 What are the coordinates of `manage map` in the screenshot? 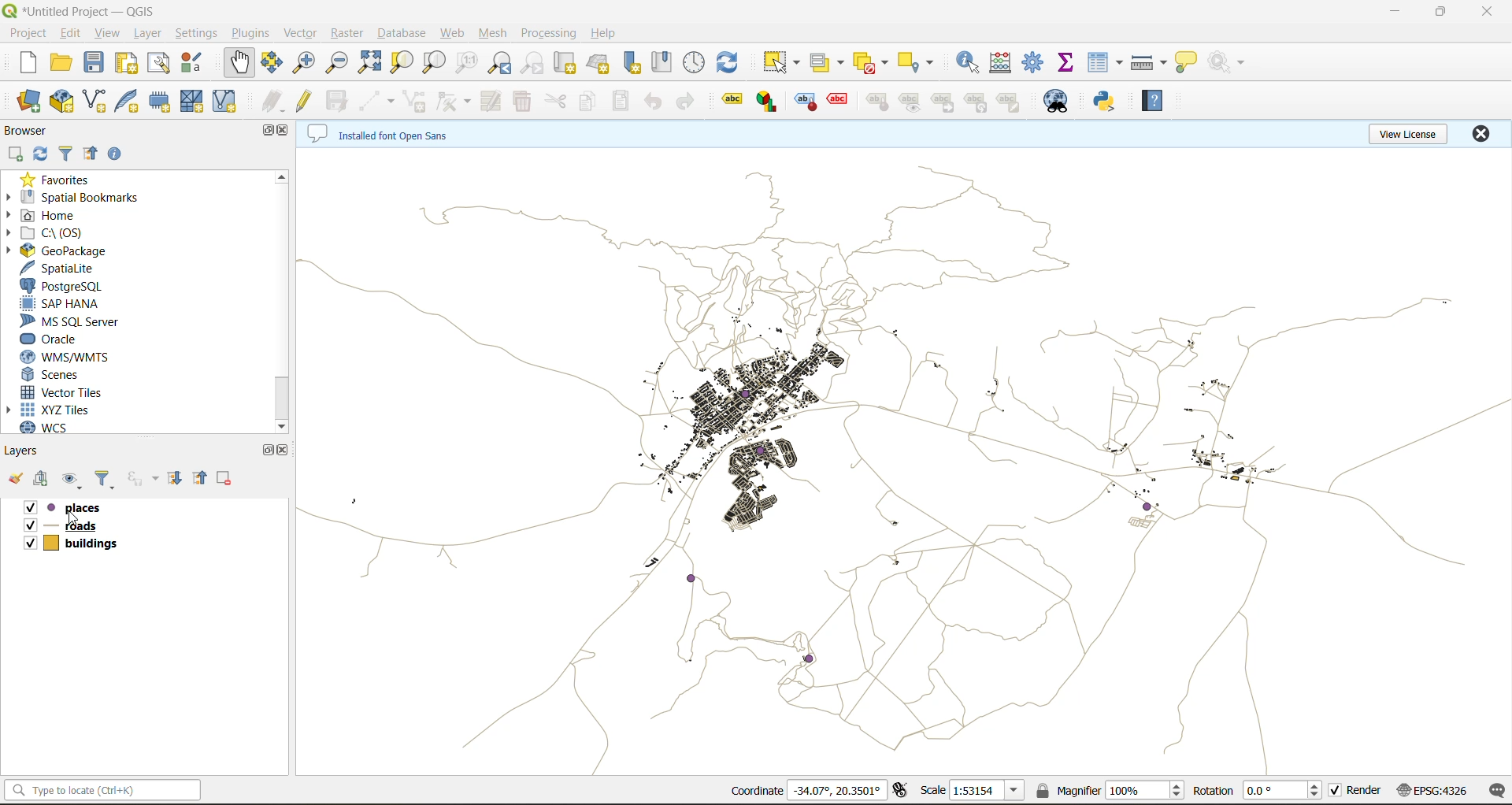 It's located at (71, 478).